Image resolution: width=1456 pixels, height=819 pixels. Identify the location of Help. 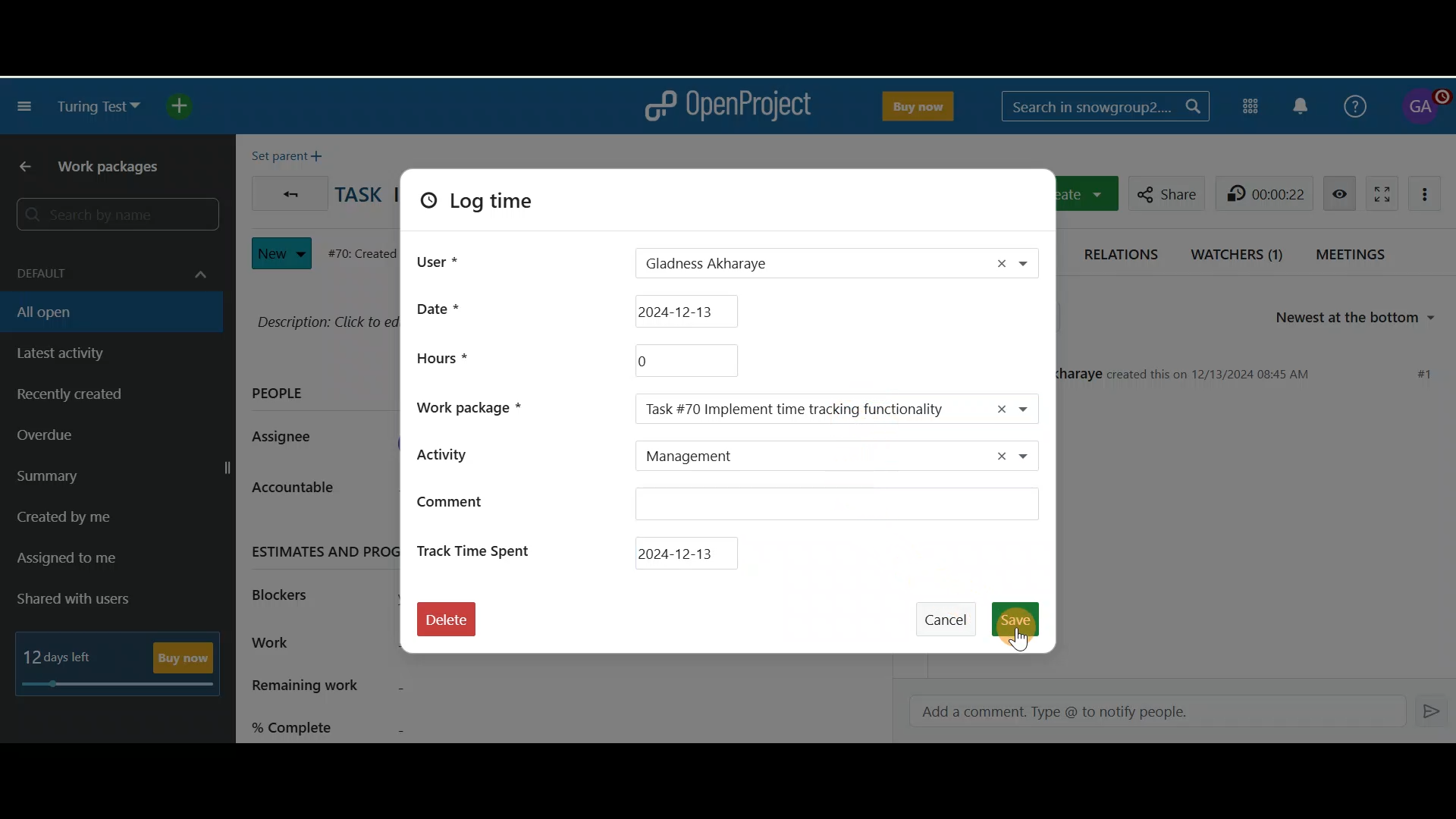
(1352, 104).